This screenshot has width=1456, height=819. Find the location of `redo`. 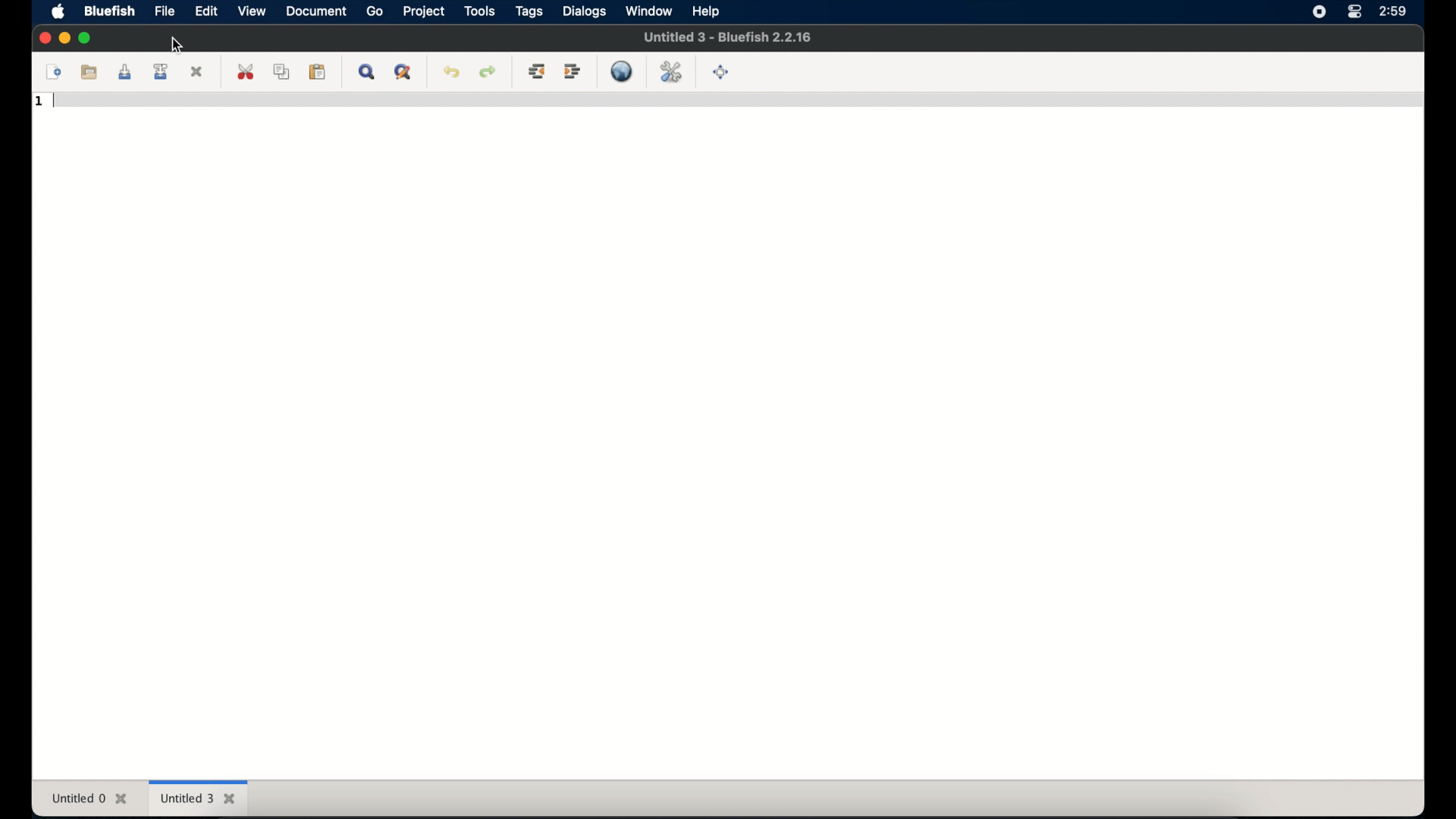

redo is located at coordinates (488, 71).